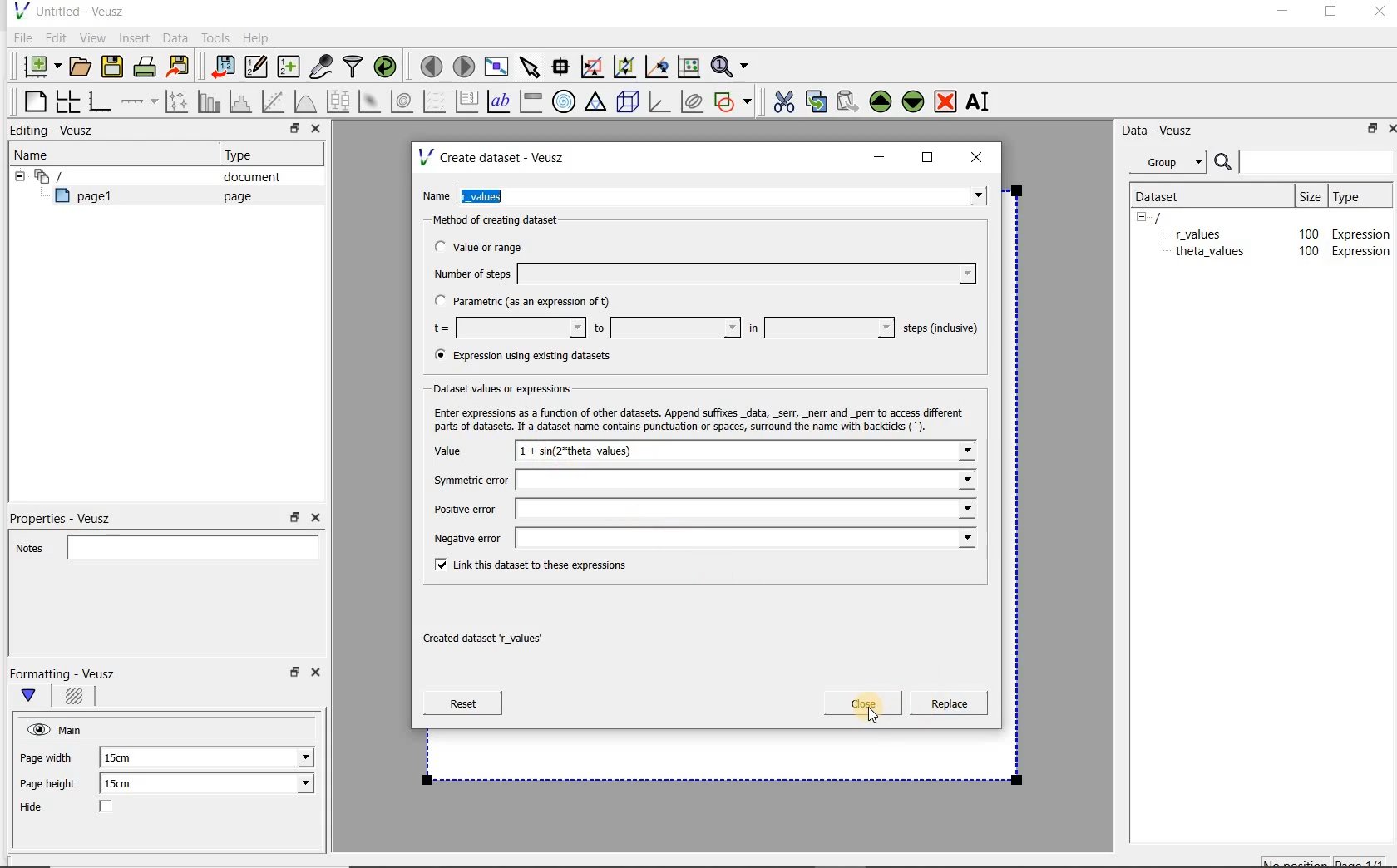 The height and width of the screenshot is (868, 1397). I want to click on size, so click(1309, 194).